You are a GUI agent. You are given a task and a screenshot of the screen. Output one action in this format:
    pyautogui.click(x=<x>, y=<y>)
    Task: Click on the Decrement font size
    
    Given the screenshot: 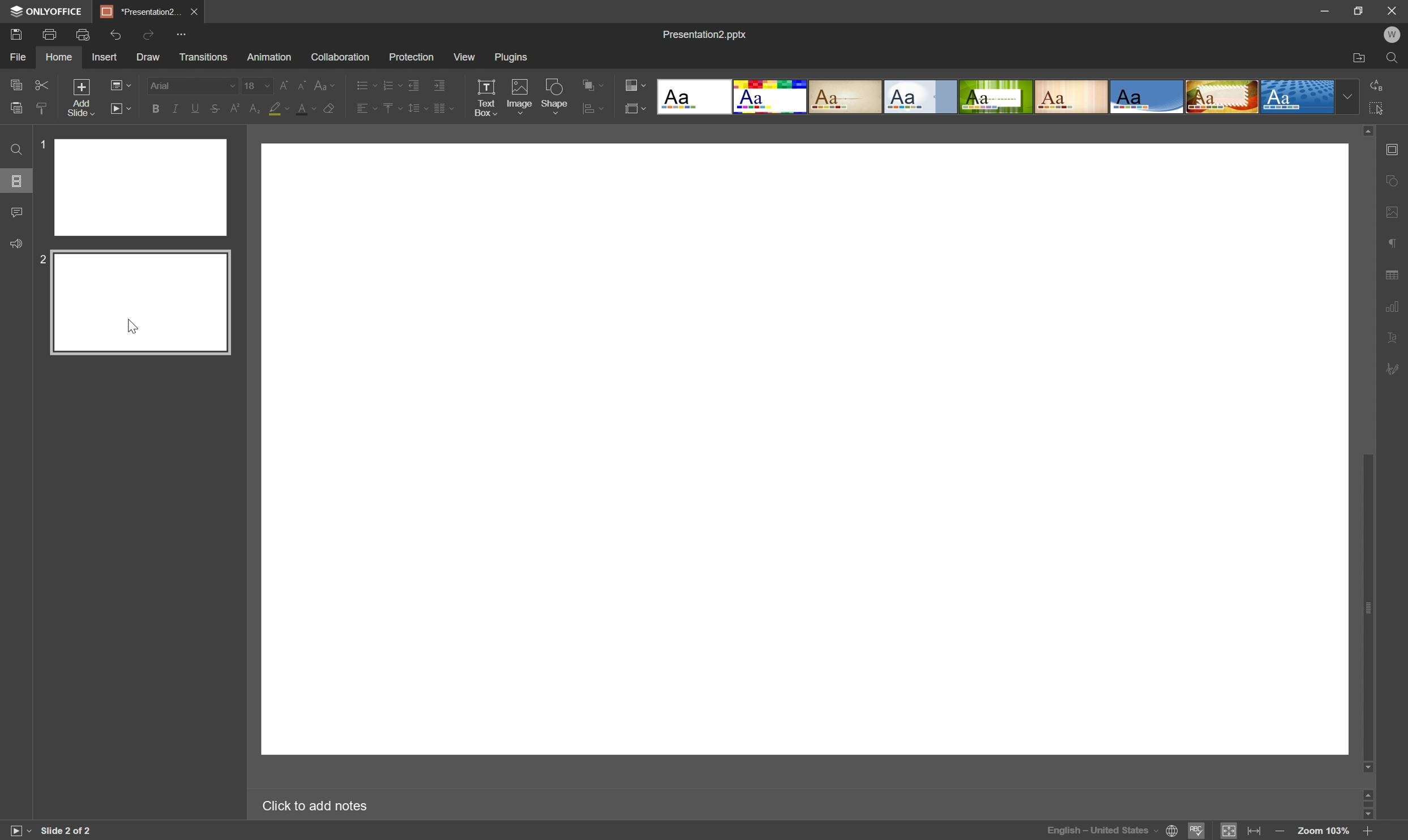 What is the action you would take?
    pyautogui.click(x=303, y=83)
    